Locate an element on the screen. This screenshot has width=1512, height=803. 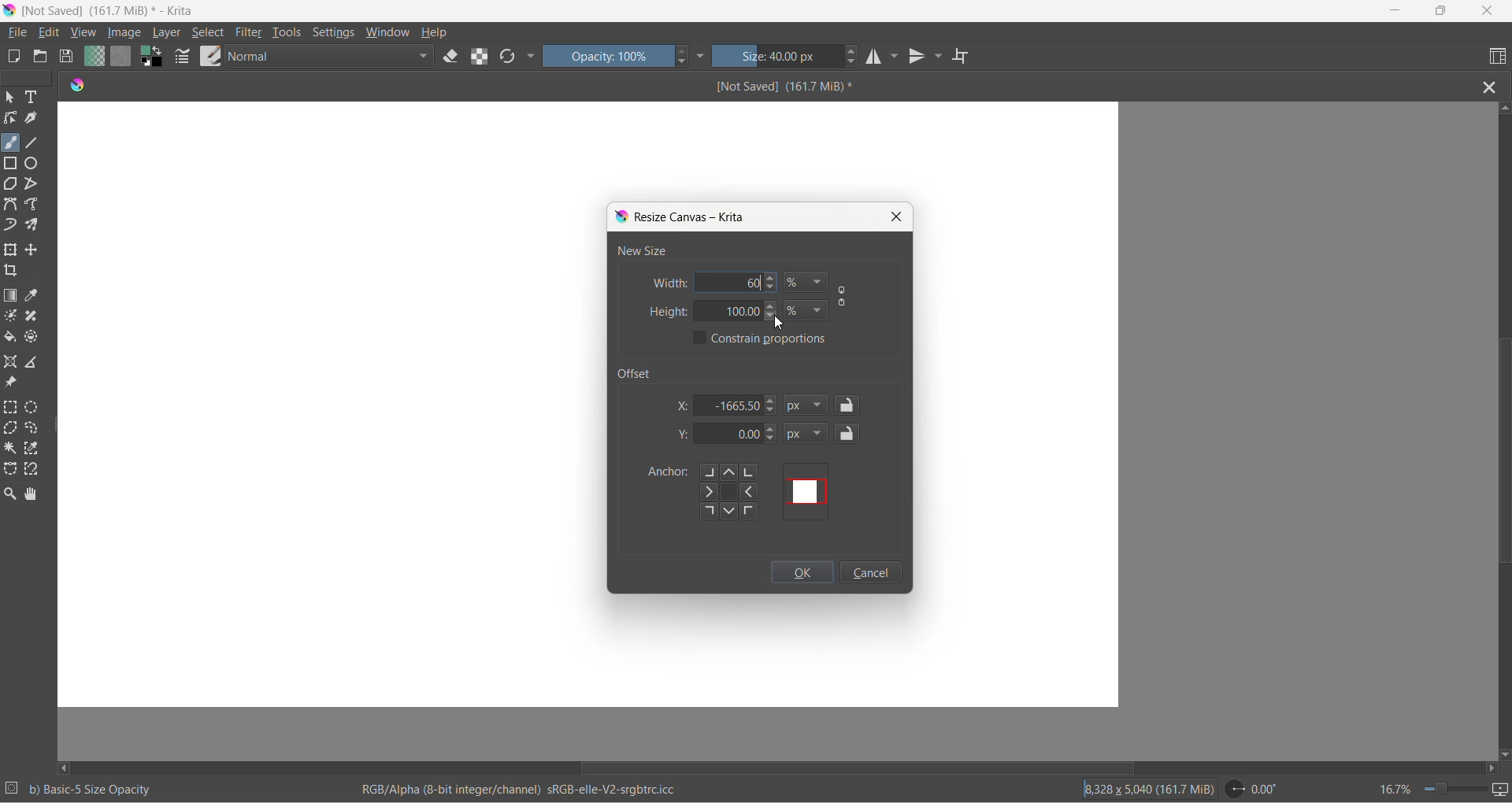
rotation is located at coordinates (1258, 789).